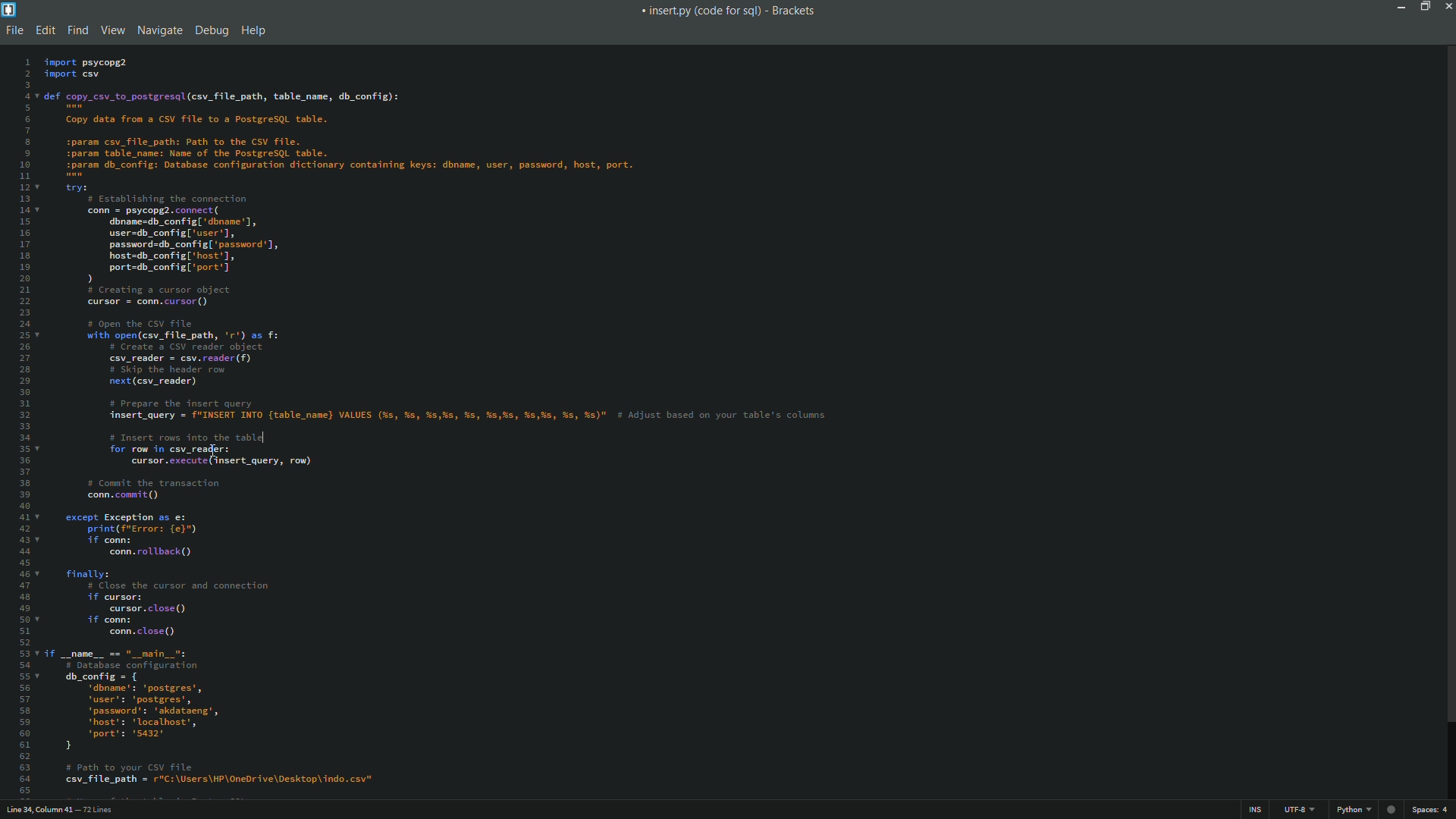  Describe the element at coordinates (111, 30) in the screenshot. I see `view menu` at that location.